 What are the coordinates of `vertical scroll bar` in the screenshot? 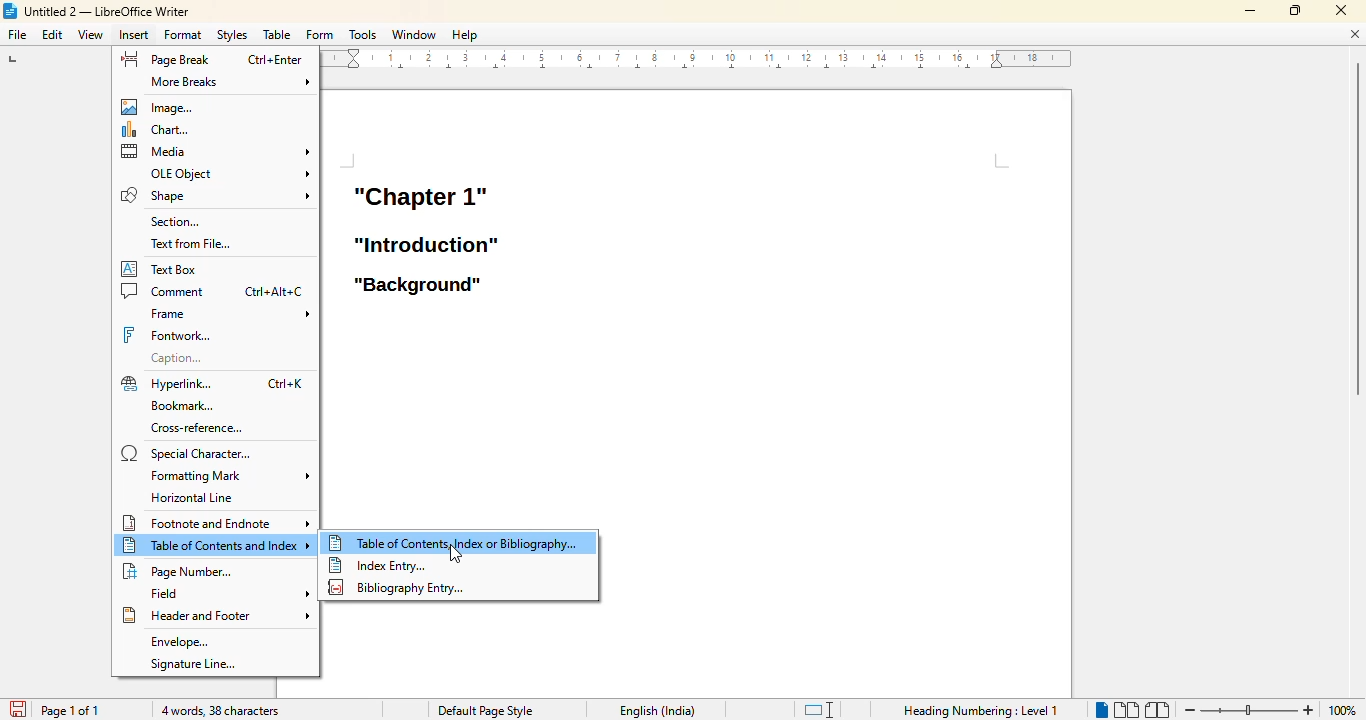 It's located at (1355, 233).